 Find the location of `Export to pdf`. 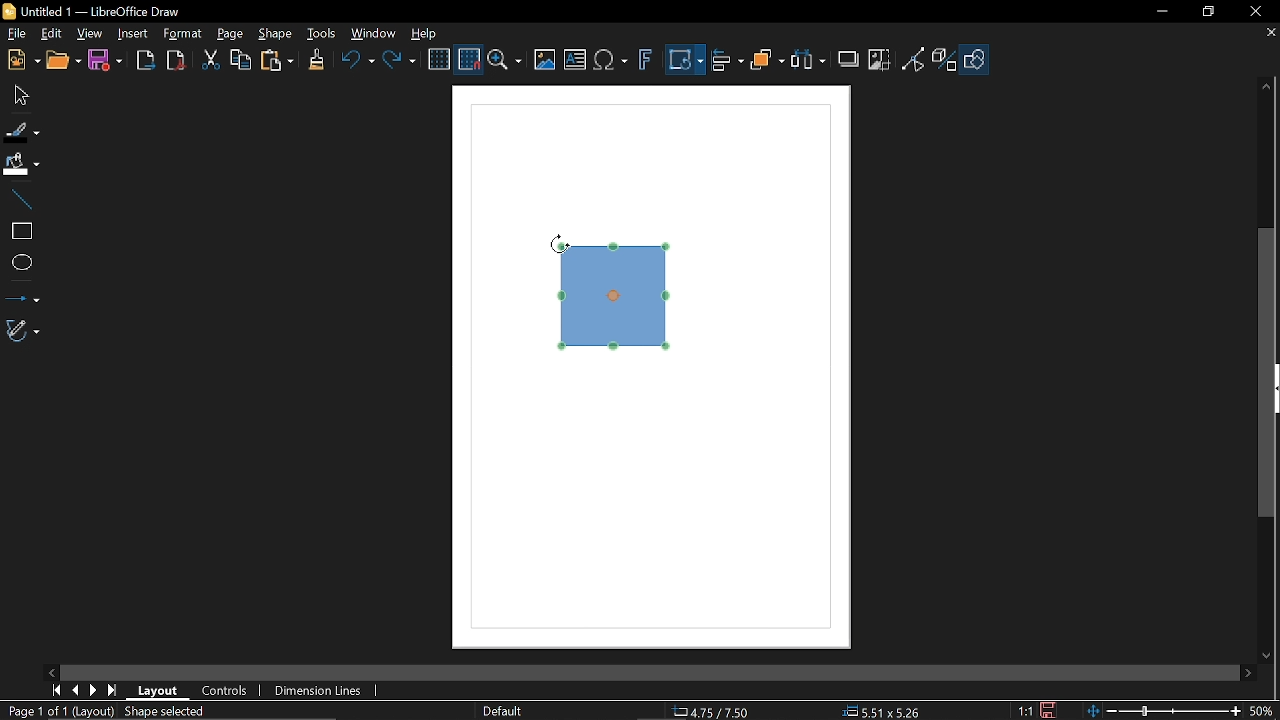

Export to pdf is located at coordinates (174, 60).